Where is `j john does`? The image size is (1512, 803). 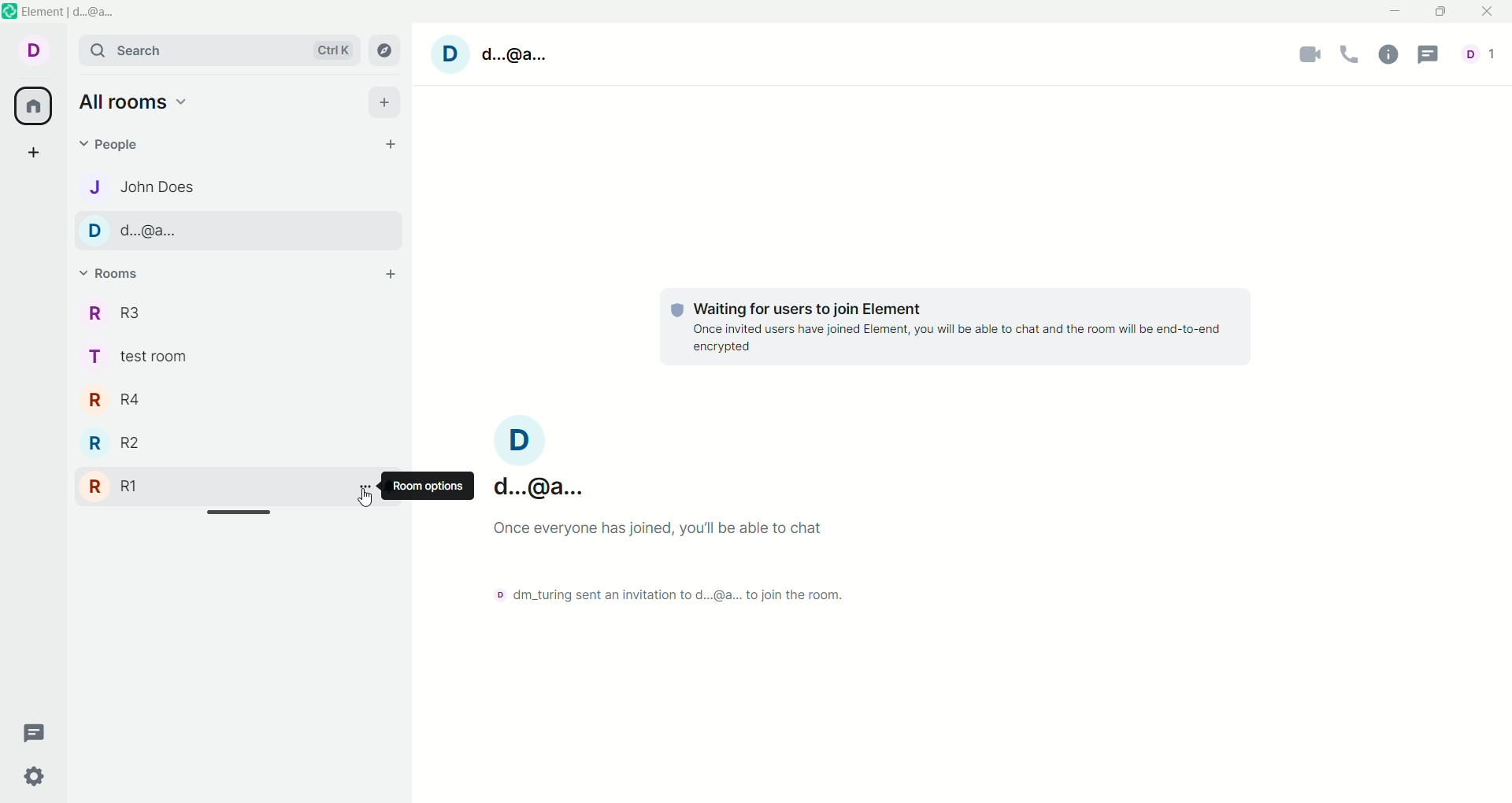
j john does is located at coordinates (143, 187).